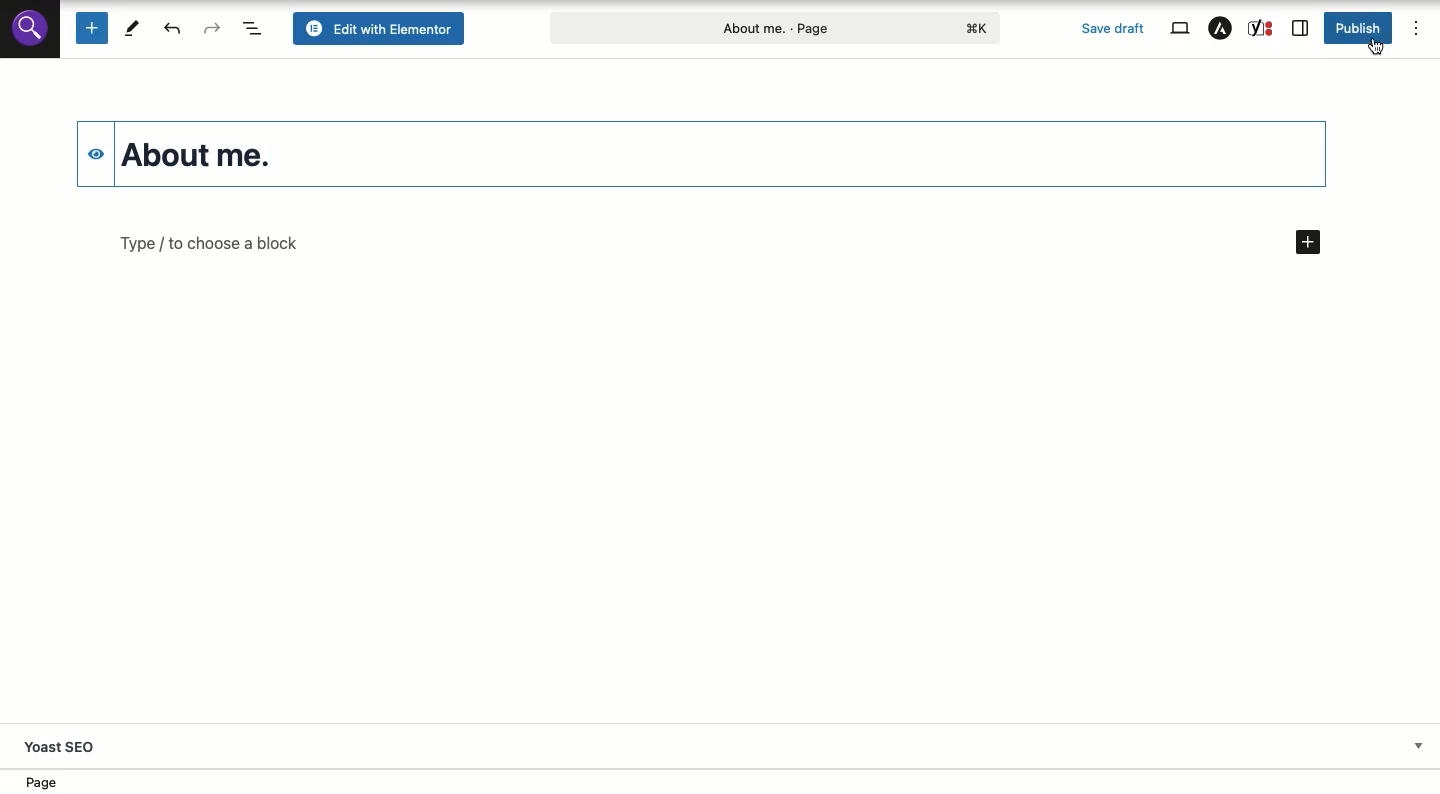 This screenshot has width=1440, height=794. Describe the element at coordinates (1298, 30) in the screenshot. I see `Sidebar` at that location.